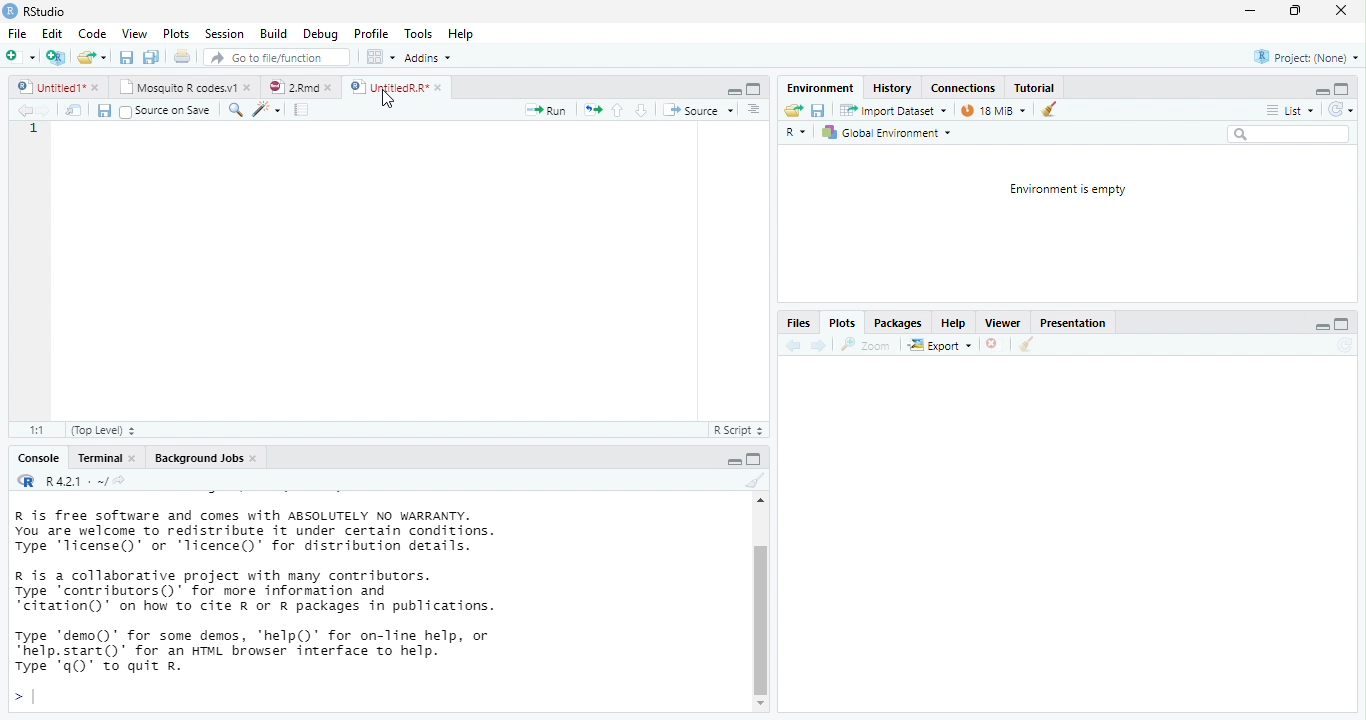  I want to click on Plots, so click(177, 34).